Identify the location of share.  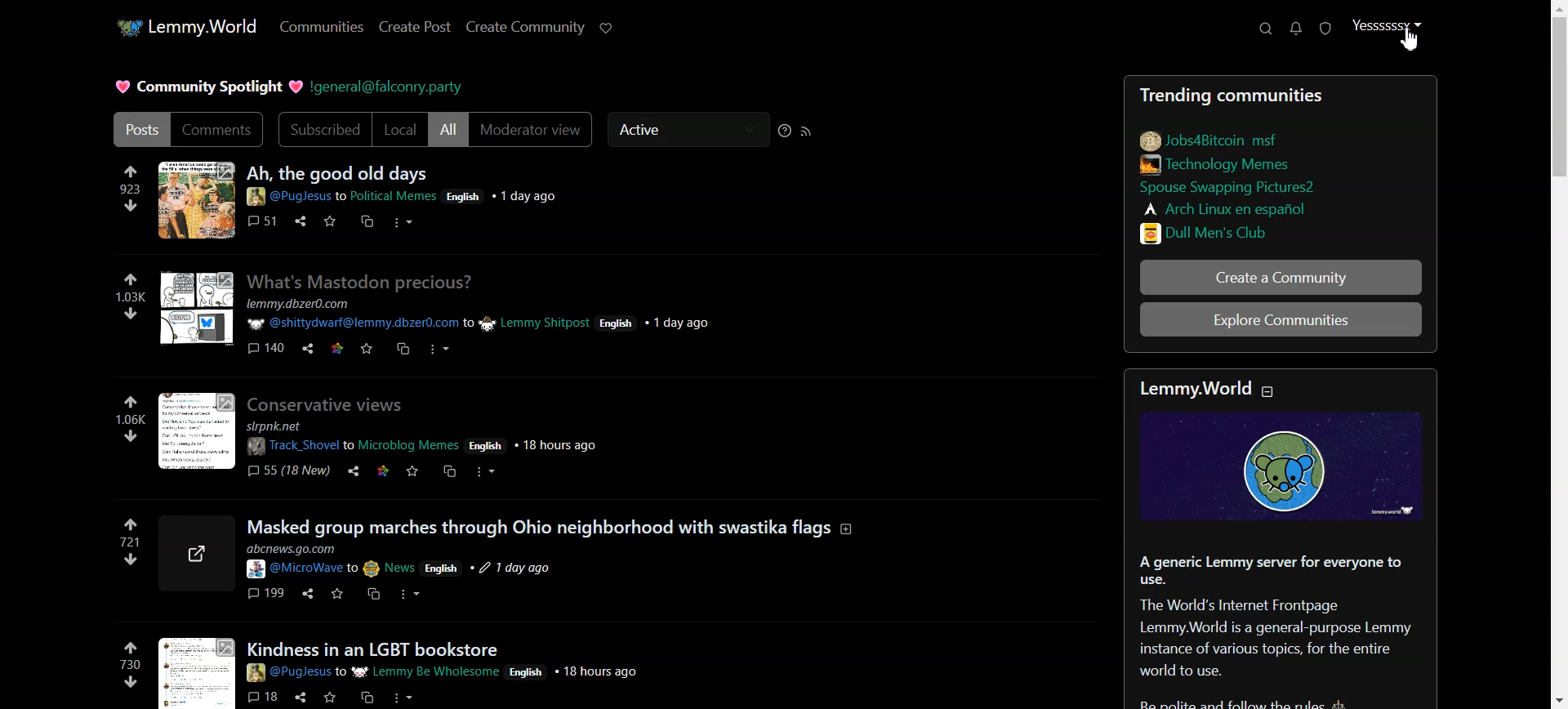
(304, 349).